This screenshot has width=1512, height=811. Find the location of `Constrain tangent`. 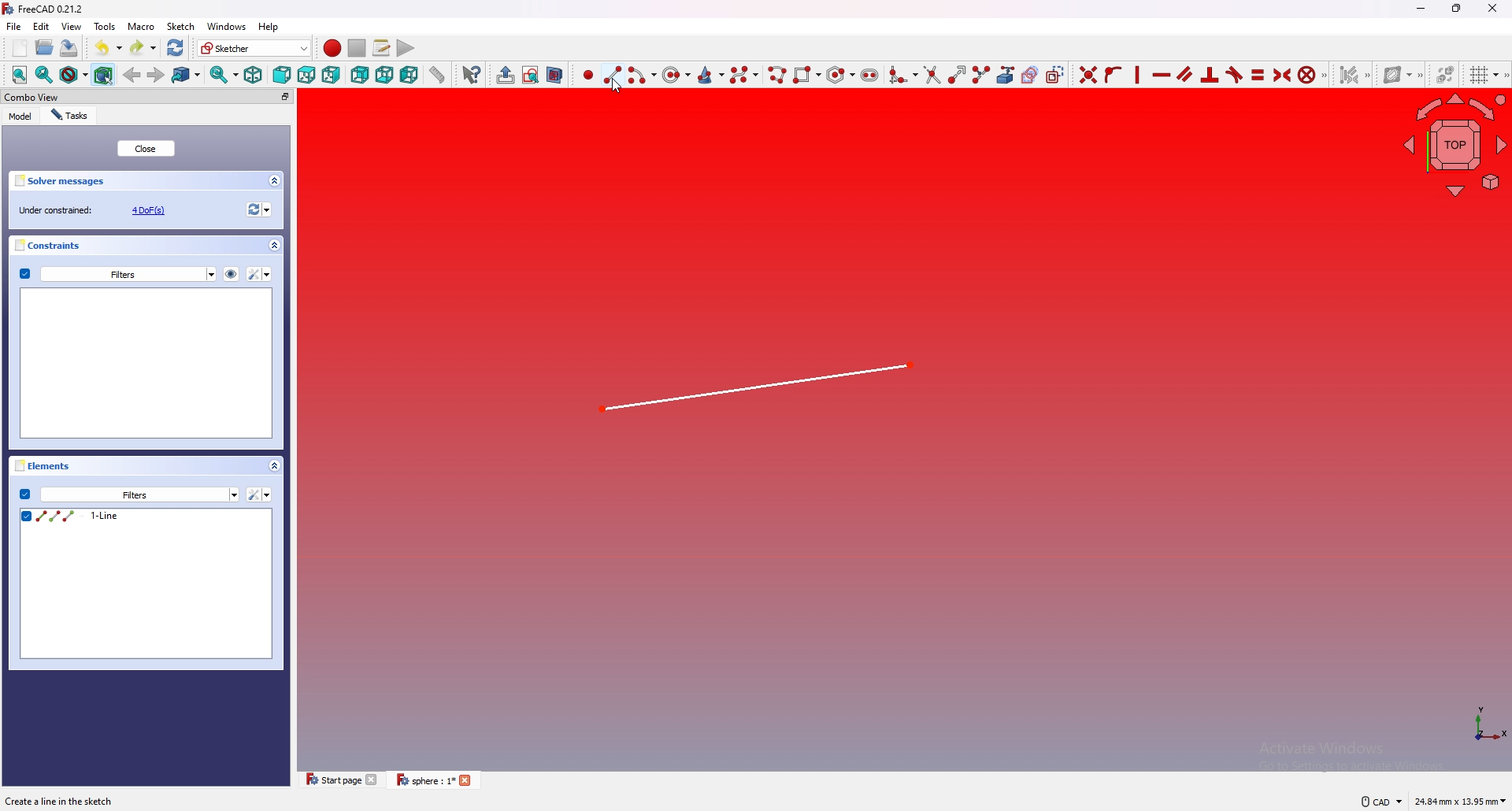

Constrain tangent is located at coordinates (1234, 75).